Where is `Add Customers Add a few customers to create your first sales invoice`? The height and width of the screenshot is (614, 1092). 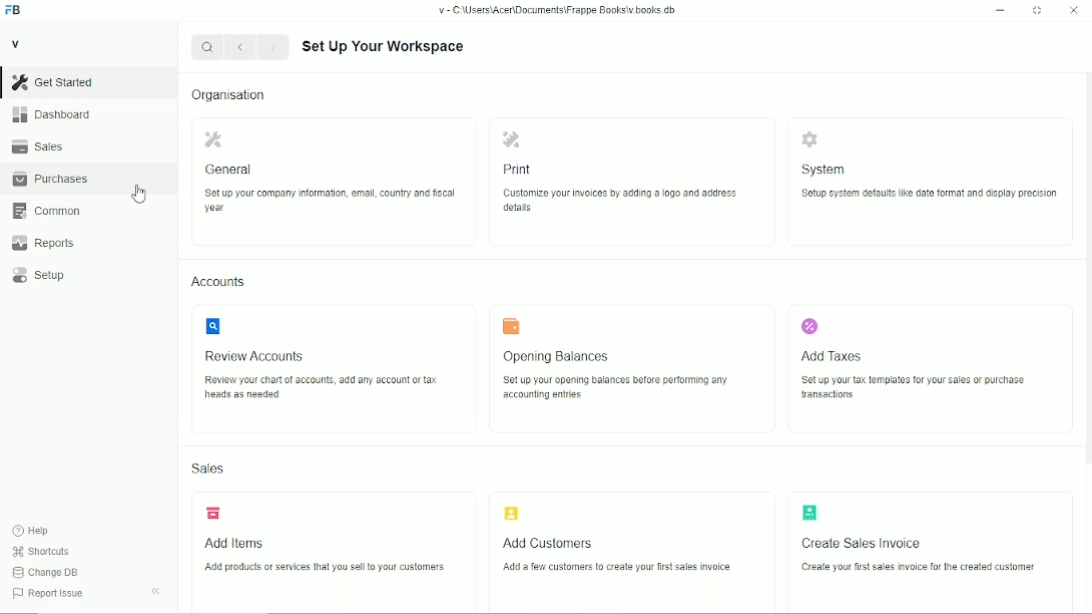 Add Customers Add a few customers to create your first sales invoice is located at coordinates (631, 553).